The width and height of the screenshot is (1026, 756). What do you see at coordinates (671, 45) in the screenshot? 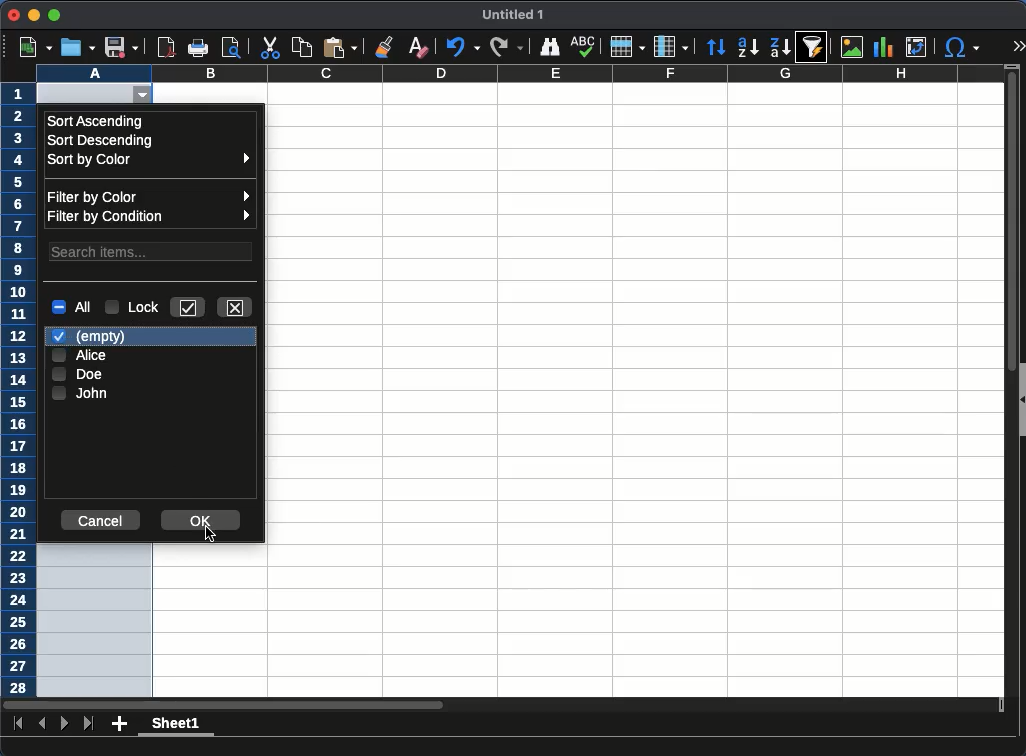
I see `column` at bounding box center [671, 45].